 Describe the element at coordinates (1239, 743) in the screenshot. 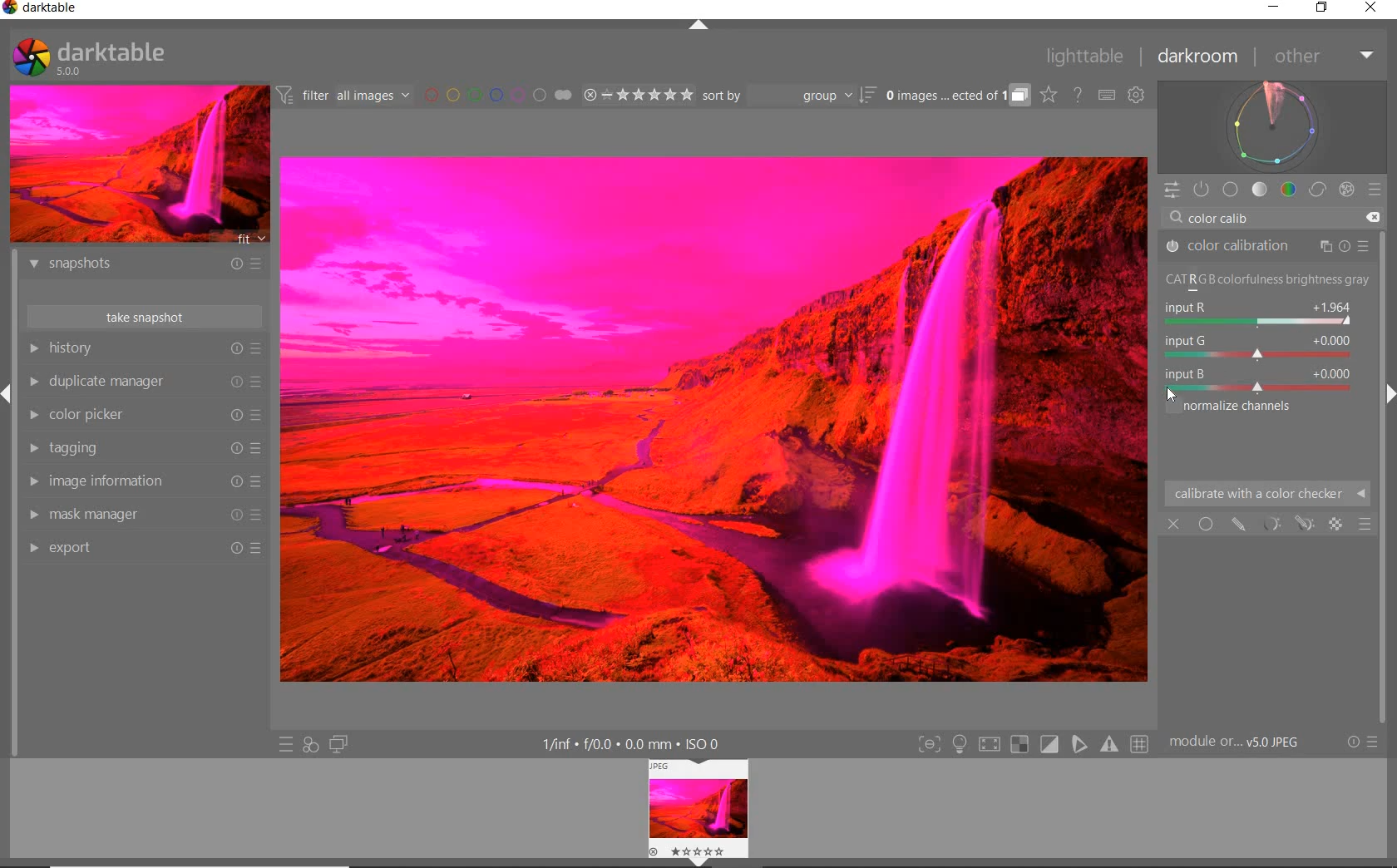

I see `MODULE...v5.0 JPEG` at that location.